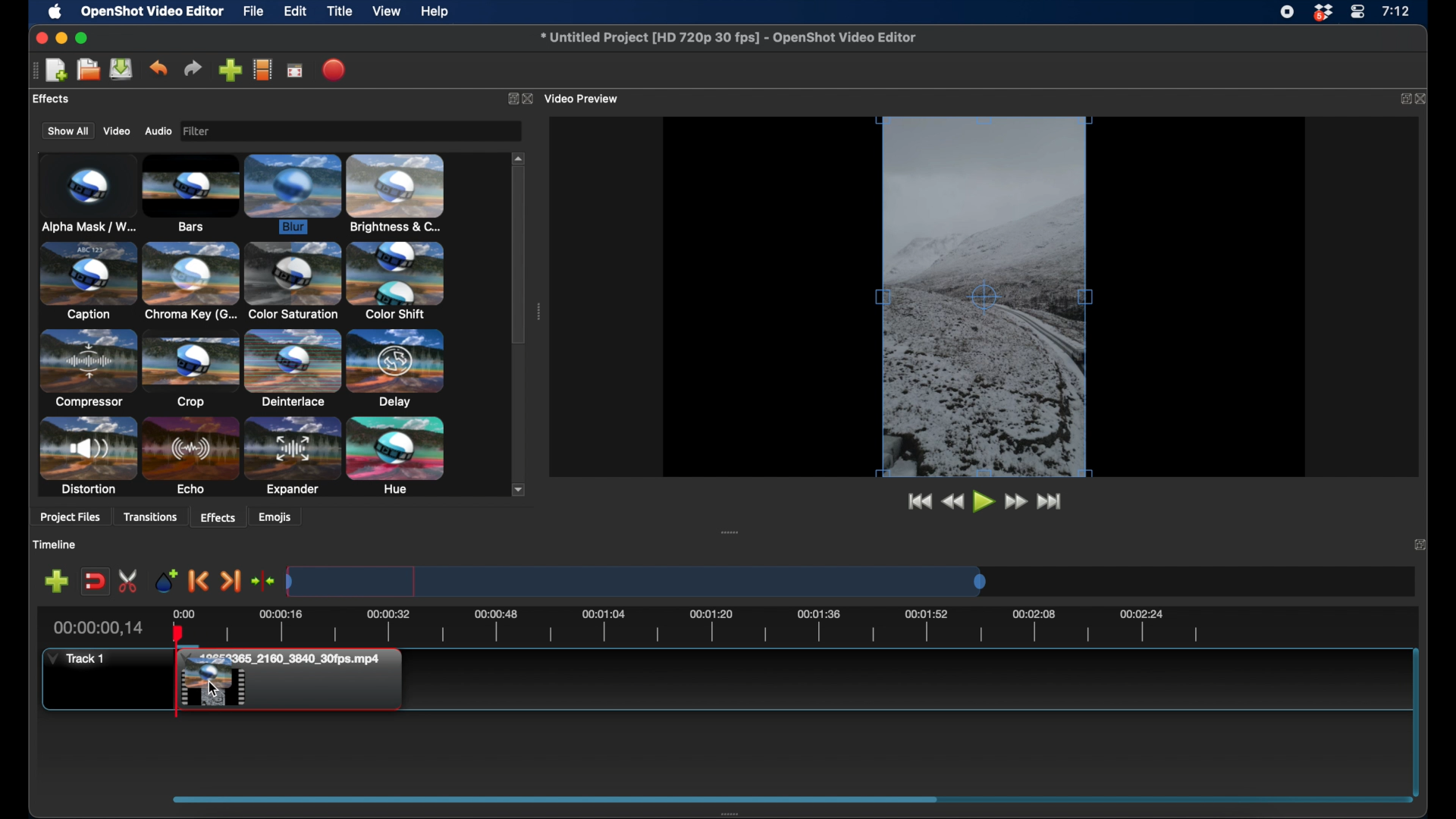 This screenshot has height=819, width=1456. What do you see at coordinates (165, 580) in the screenshot?
I see `add marker` at bounding box center [165, 580].